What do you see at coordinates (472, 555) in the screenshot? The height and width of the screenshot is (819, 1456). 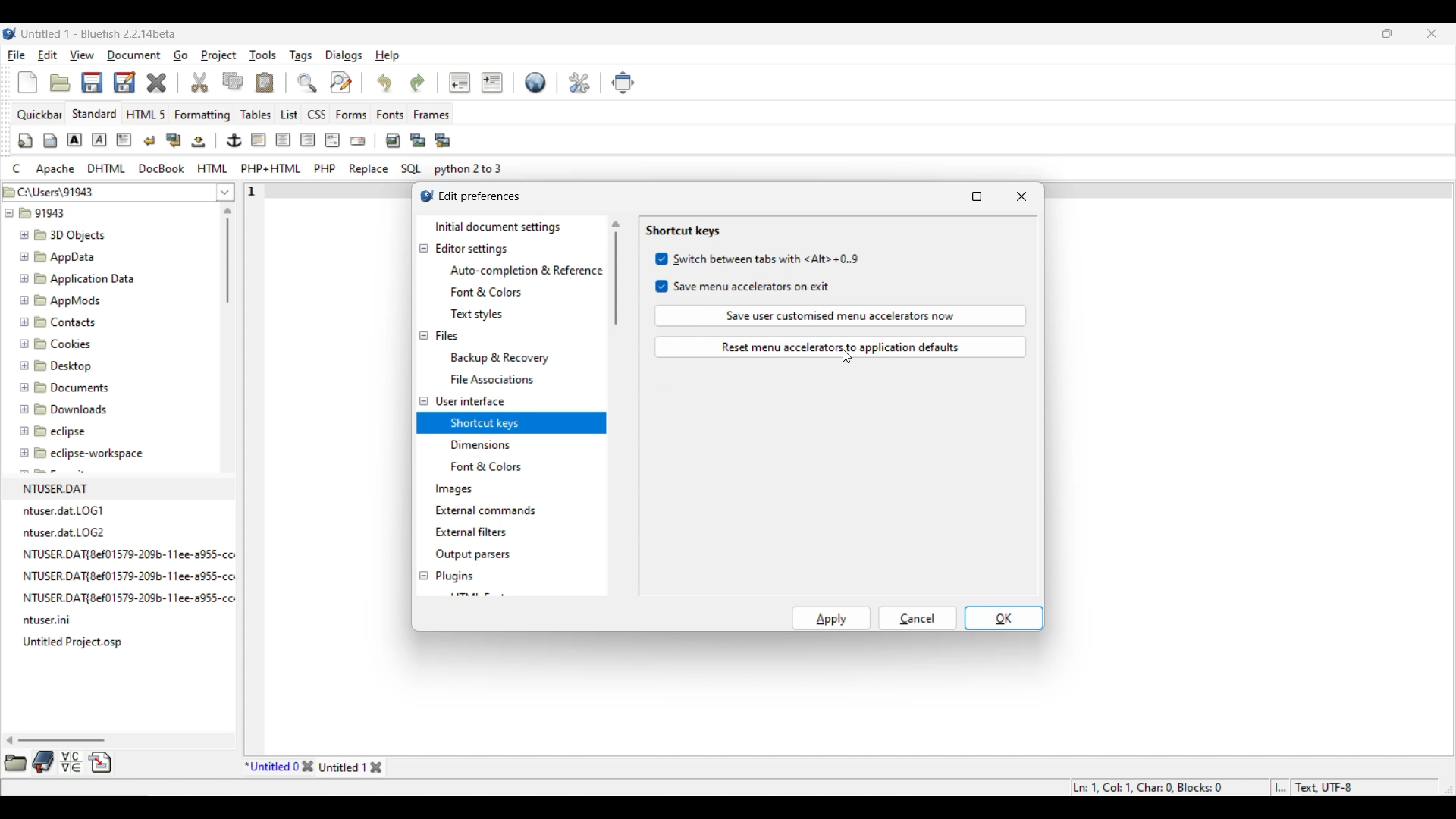 I see `Output parsers` at bounding box center [472, 555].